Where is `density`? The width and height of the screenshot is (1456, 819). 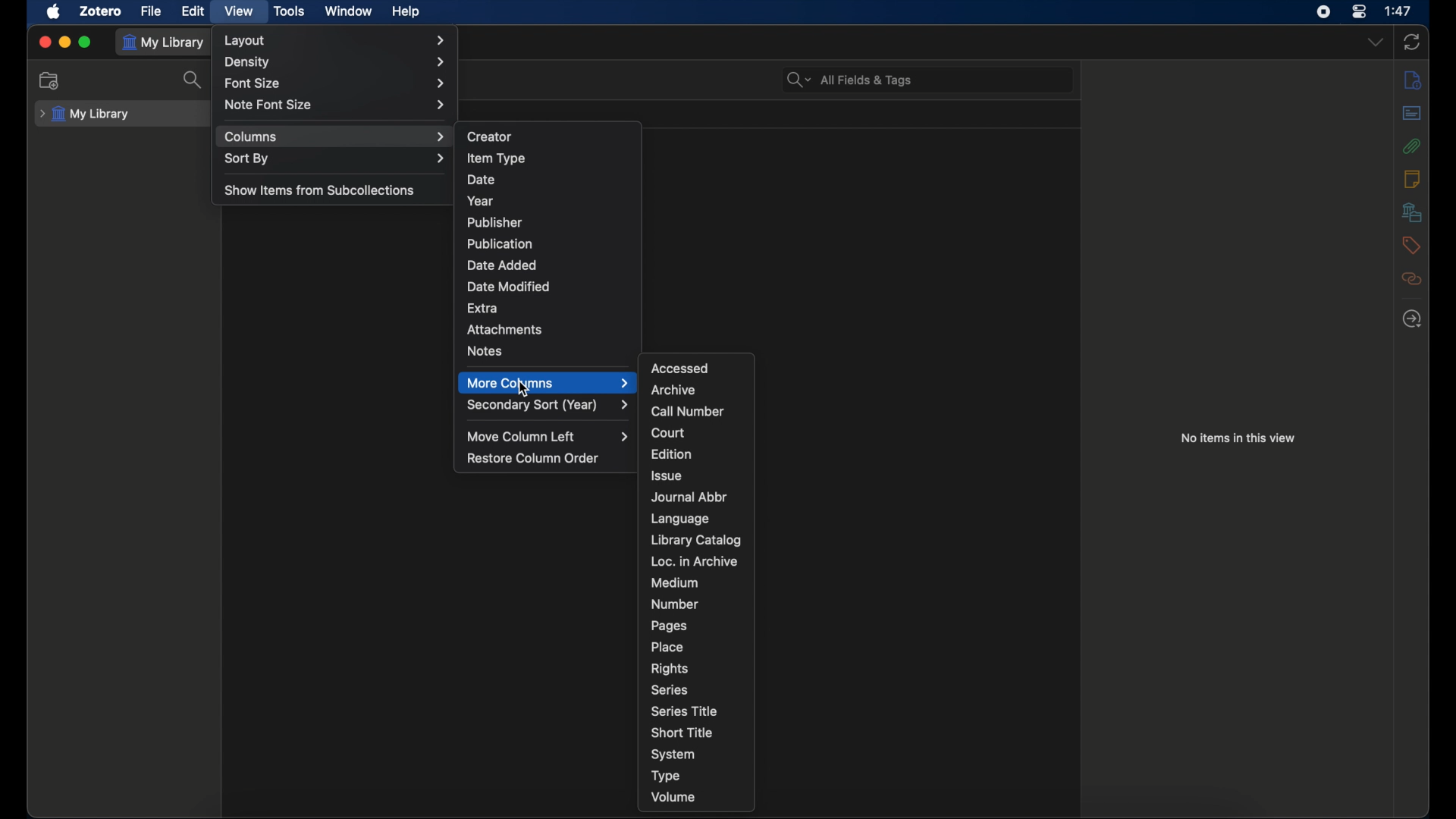 density is located at coordinates (337, 63).